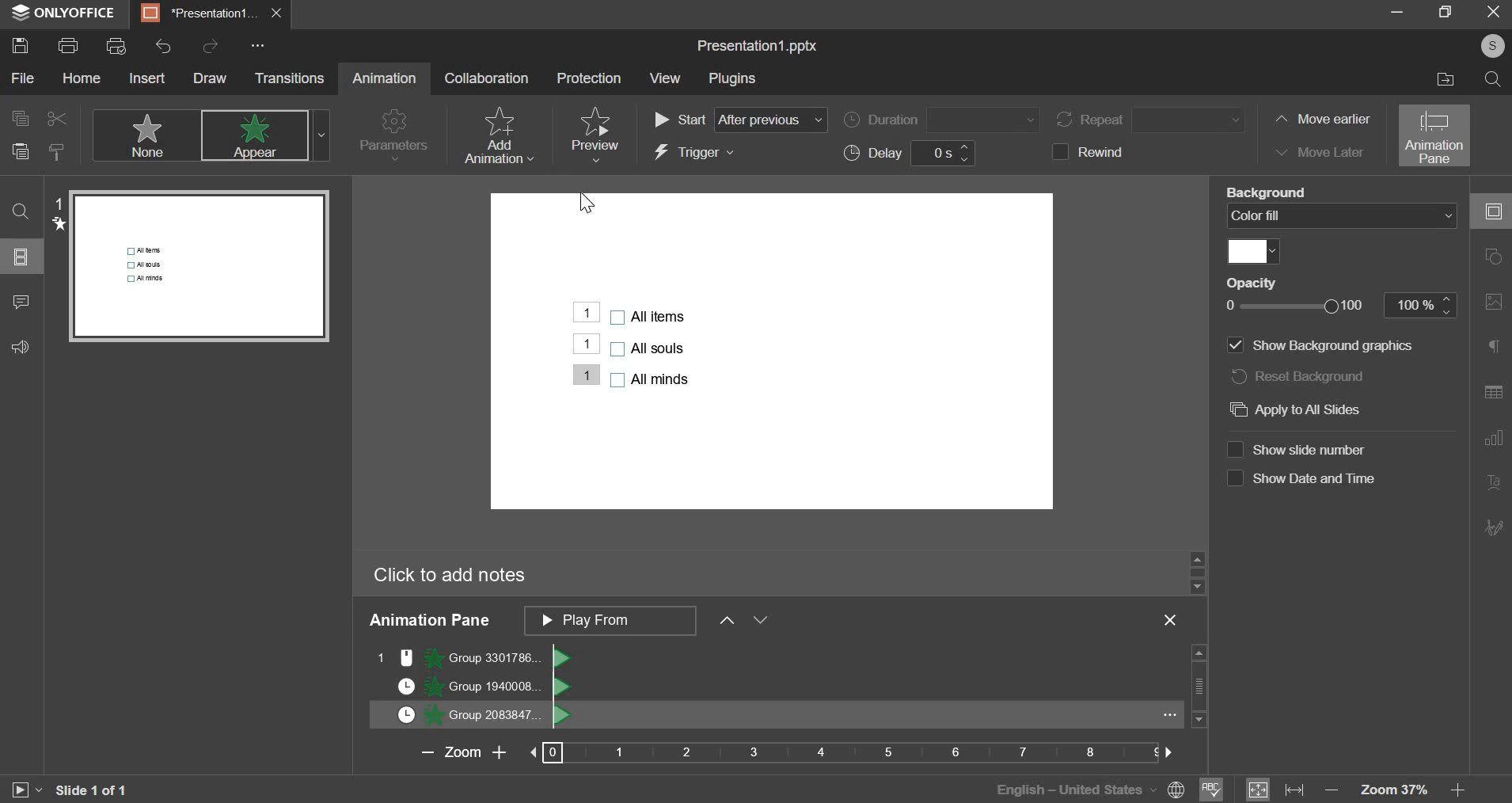  Describe the element at coordinates (913, 154) in the screenshot. I see `delay` at that location.